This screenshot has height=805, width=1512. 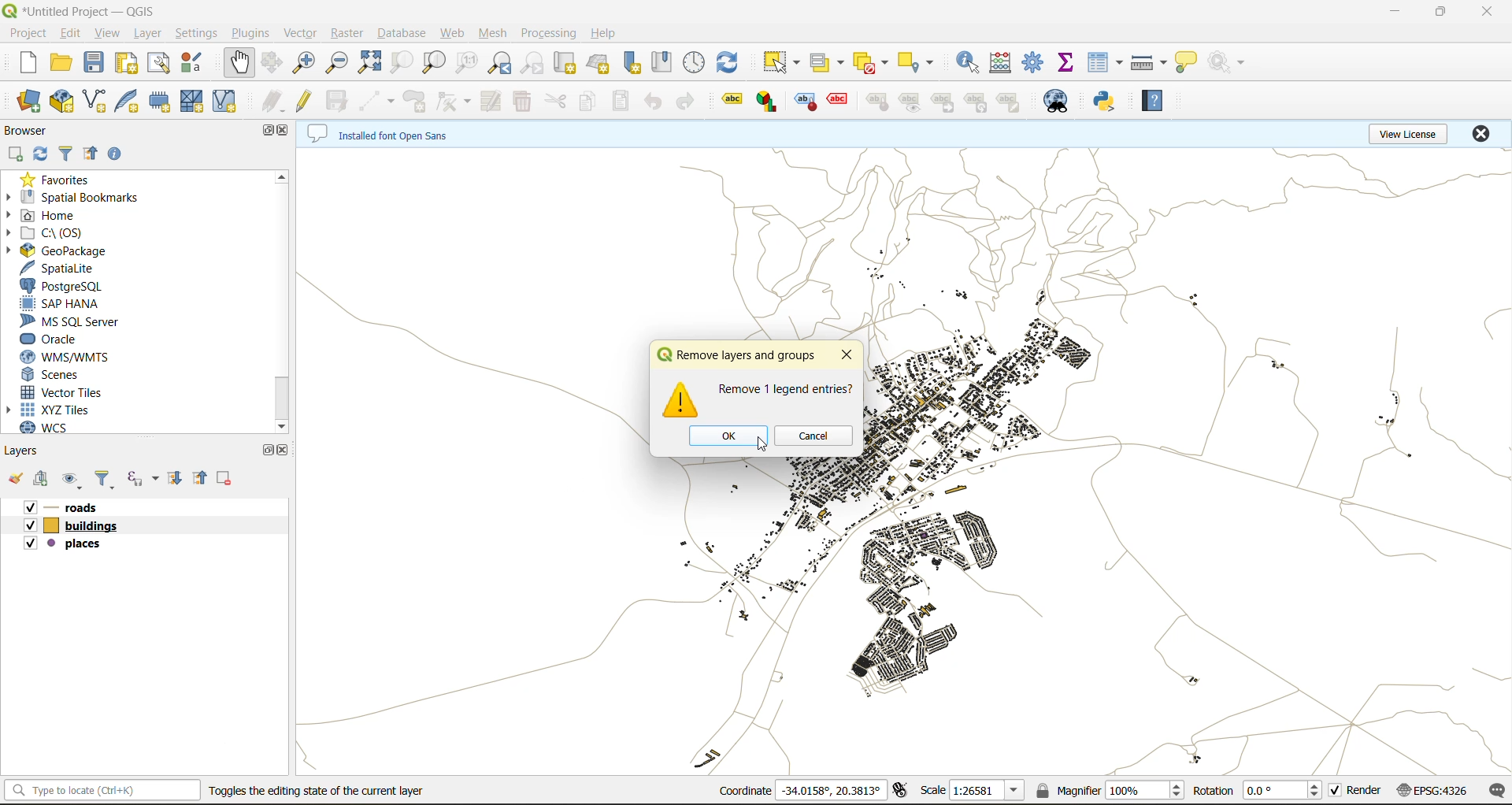 What do you see at coordinates (160, 64) in the screenshot?
I see `show layout` at bounding box center [160, 64].